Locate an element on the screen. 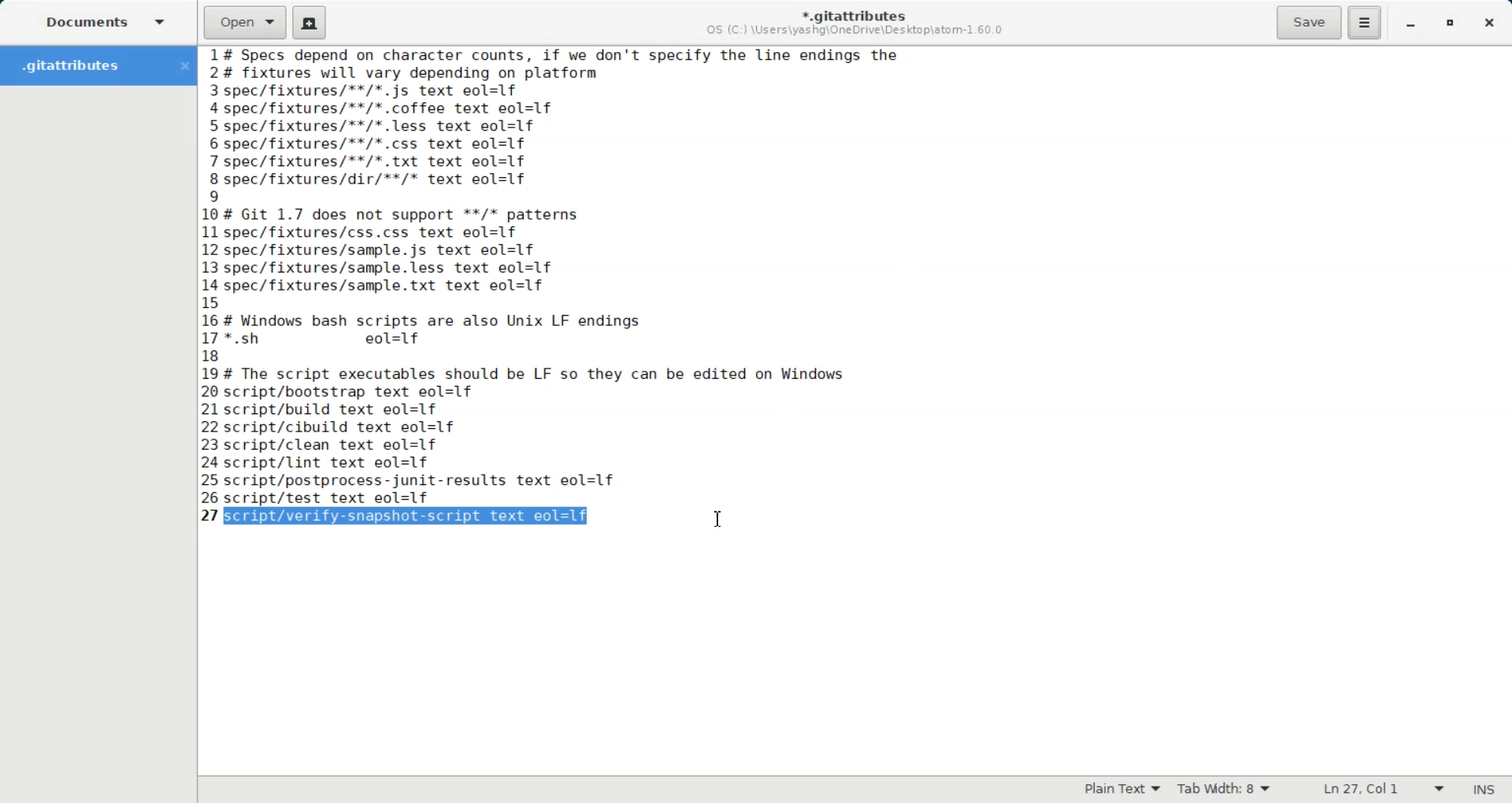  # Specs depend on character counts, if we don't specify the line endings the
 # fixtures will vary depending on platform
 spec/fixtures/**/*.js text eol=1f
-spec/fixtures/**/*.coffee text eol=1f
 spec/fixtures/**/*.less text eol=1f
 spec/fixtures/**/*.css text eol=1f
'spec/fixtures/**/*. txt text eol=1f
 spec/fixtures/dir/**/* text eol=1f

| # Git 1.7 does not support **/* patterns
spec/fixtures/css.css text eol=1f
 spec/fixtures/sample.js text eol=1f
 spec/fixtures/sample.less text eol=1f
-spec/fixtures/sample.txt text eol=1f

;

 # Windows bash scripts are also Unix LF endings
'*.sh eol=1f

 # The script executables should be LF so they can be edited on Windows
 script/bootstrap text eol=1f

script/build text eol=1f

script/cibuild text eol=1f

 script/clean text eol=1f

script/lint text eol=1f
 script/postprocess-junit-results text eol=1f
 script/test text eol=1f is located at coordinates (576, 276).